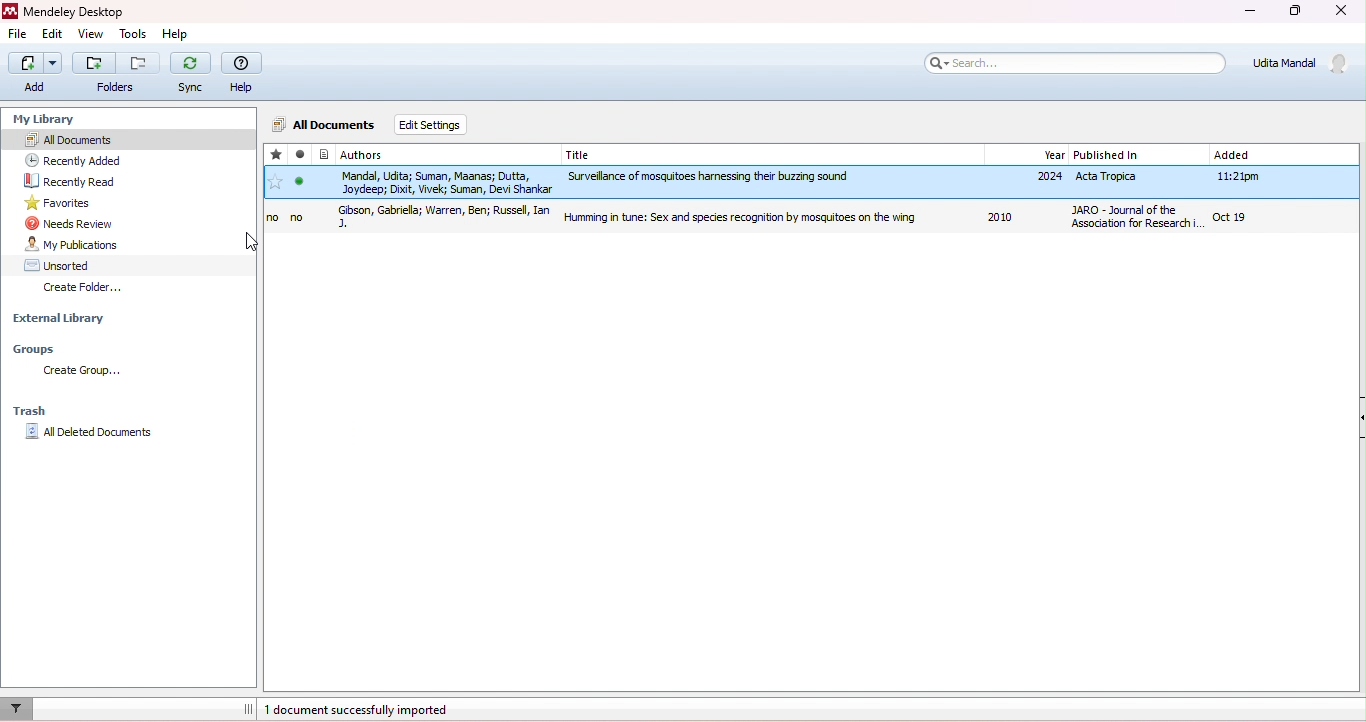  I want to click on Journal of Association for Research in Otolaryngology The, so click(1135, 218).